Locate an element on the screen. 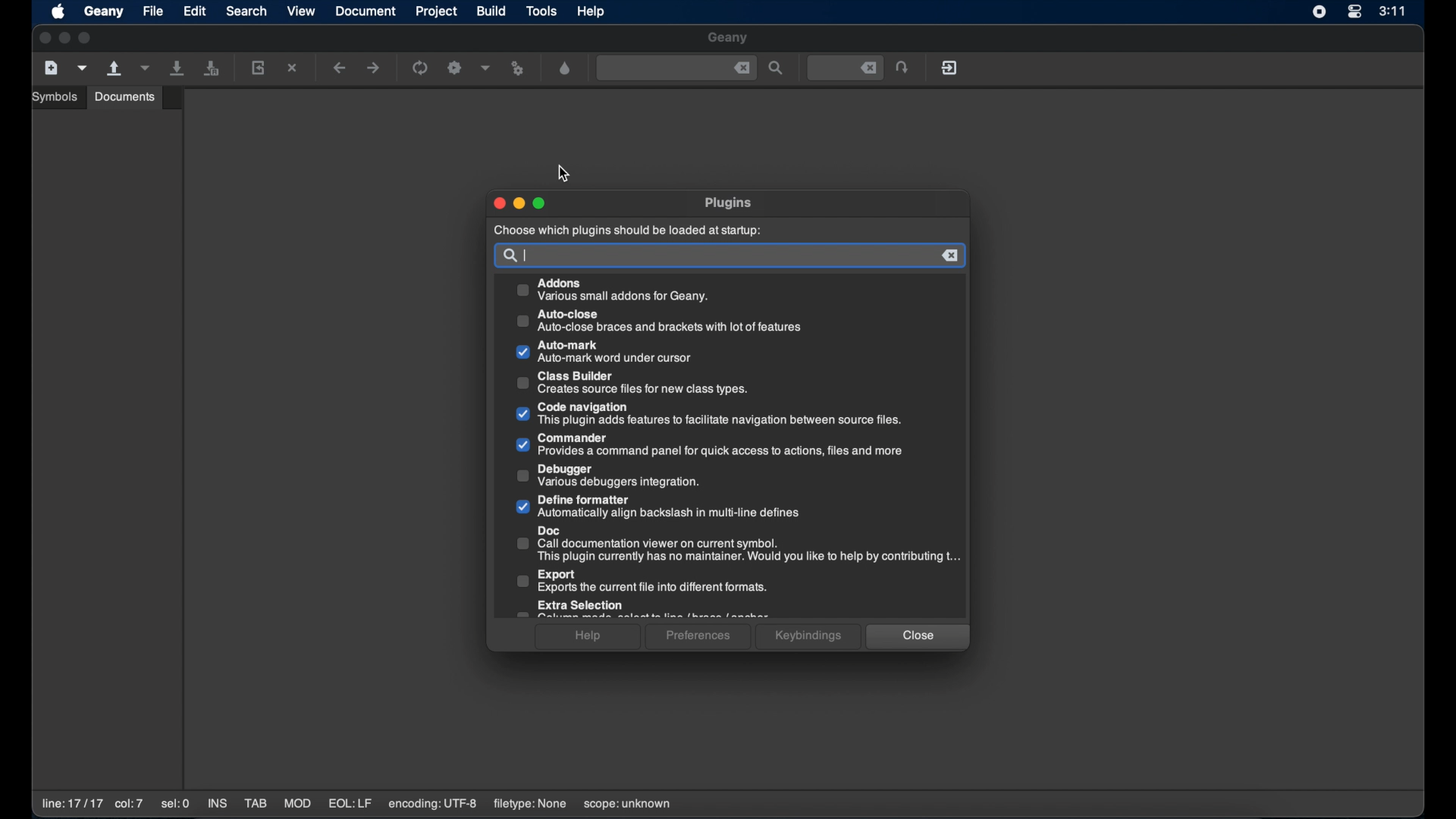  build is located at coordinates (492, 11).